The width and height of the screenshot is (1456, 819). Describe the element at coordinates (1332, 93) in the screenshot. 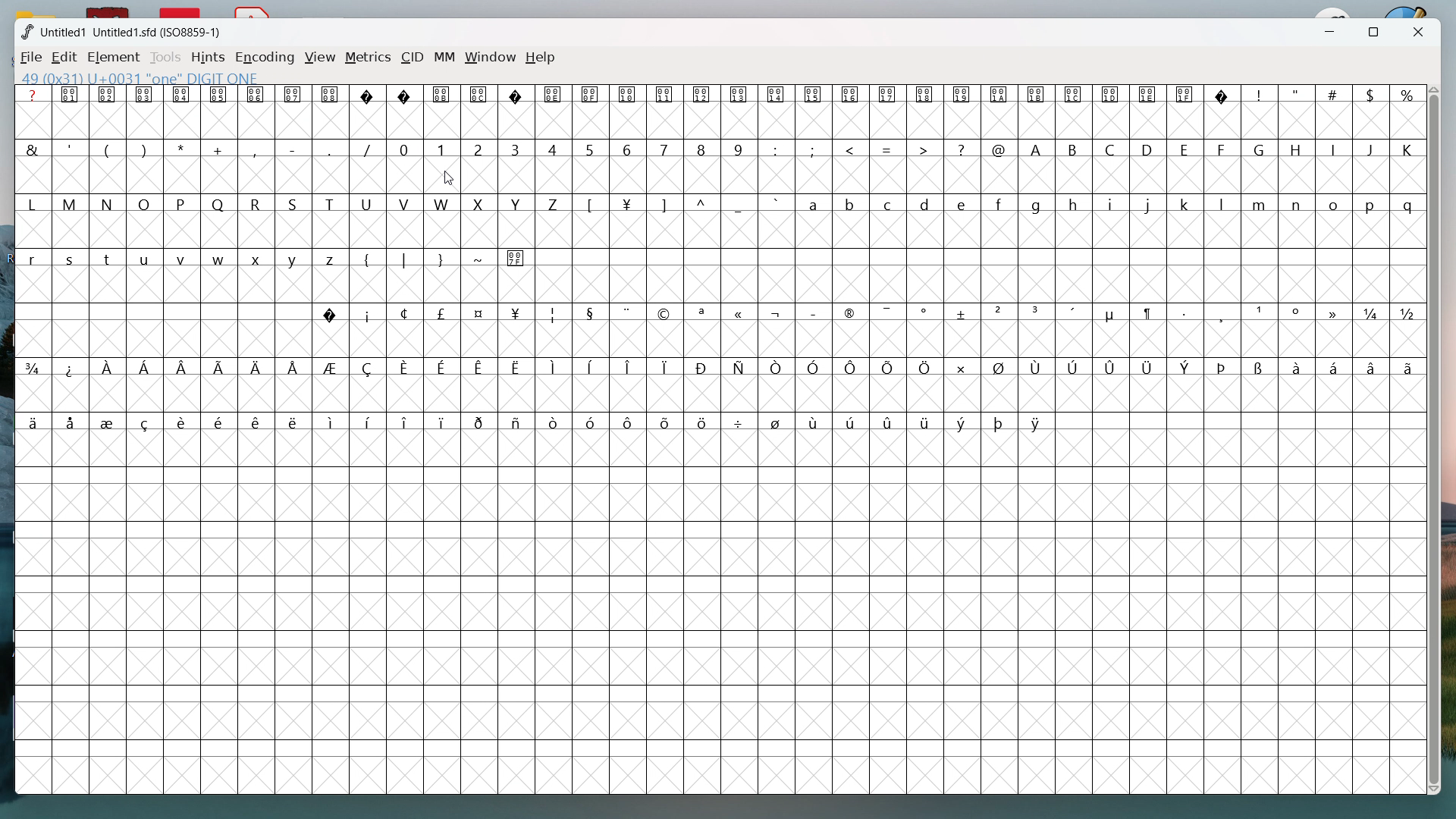

I see `#` at that location.